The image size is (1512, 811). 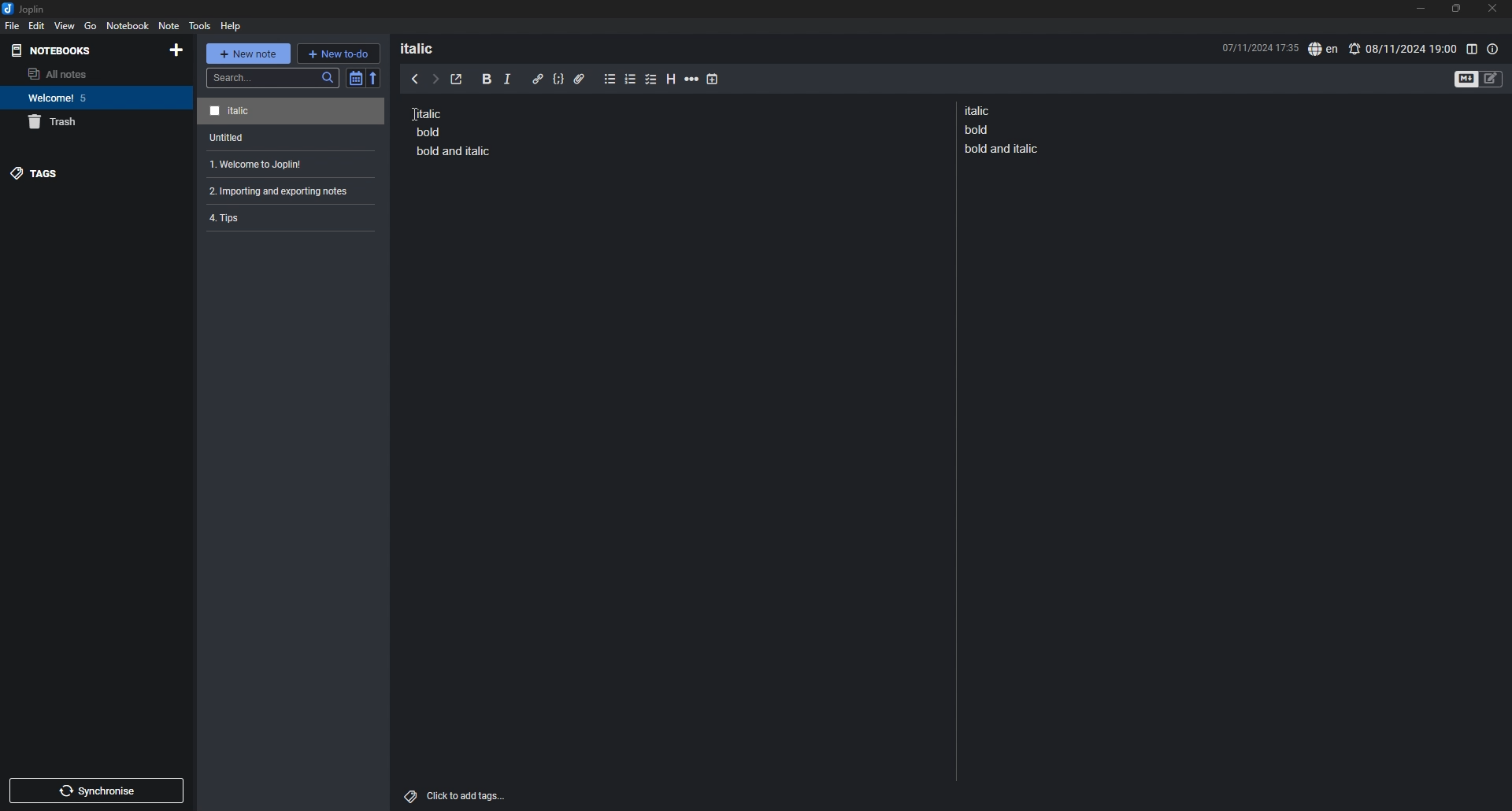 What do you see at coordinates (284, 191) in the screenshot?
I see `note` at bounding box center [284, 191].